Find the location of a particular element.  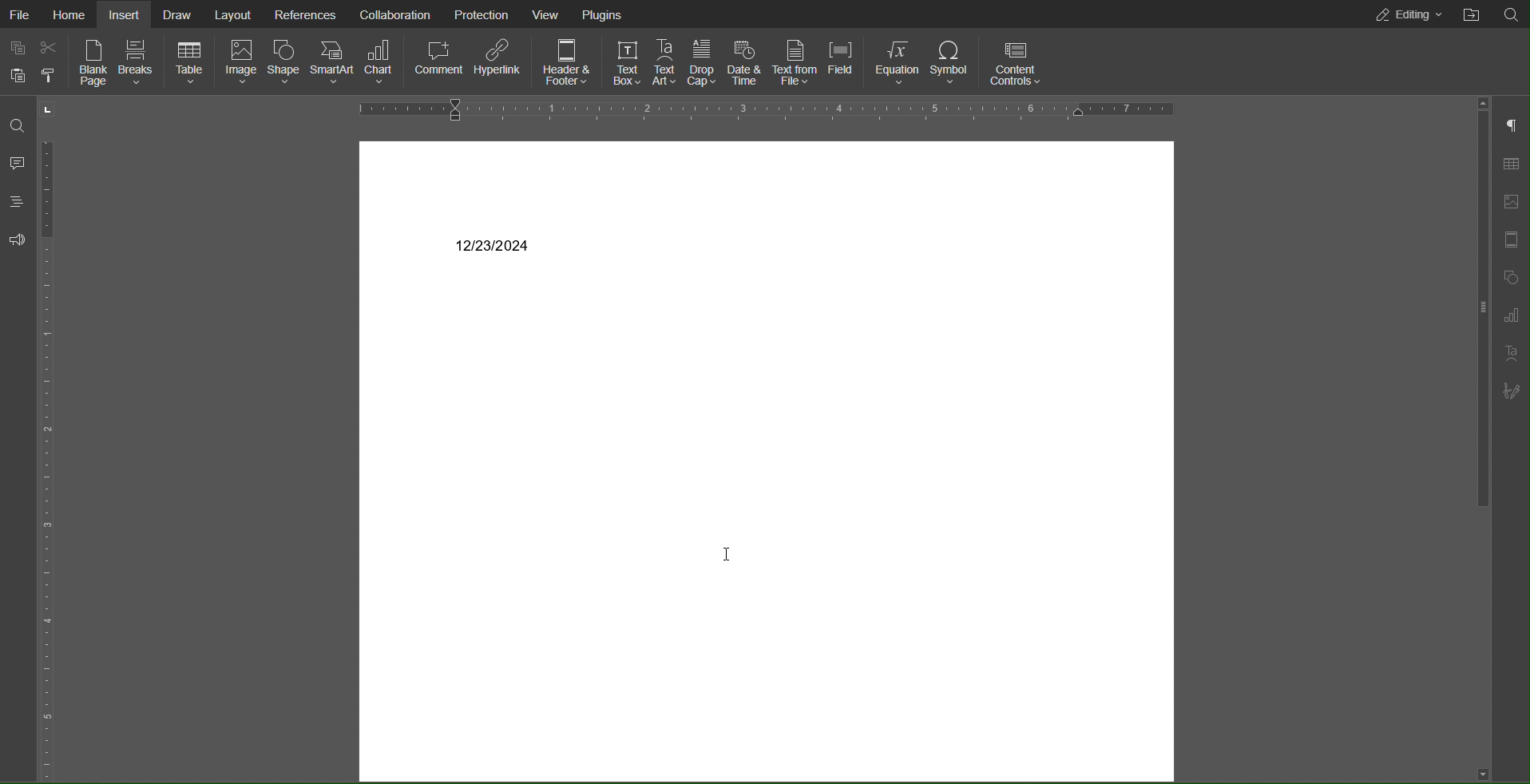

Graph Settings is located at coordinates (1516, 316).